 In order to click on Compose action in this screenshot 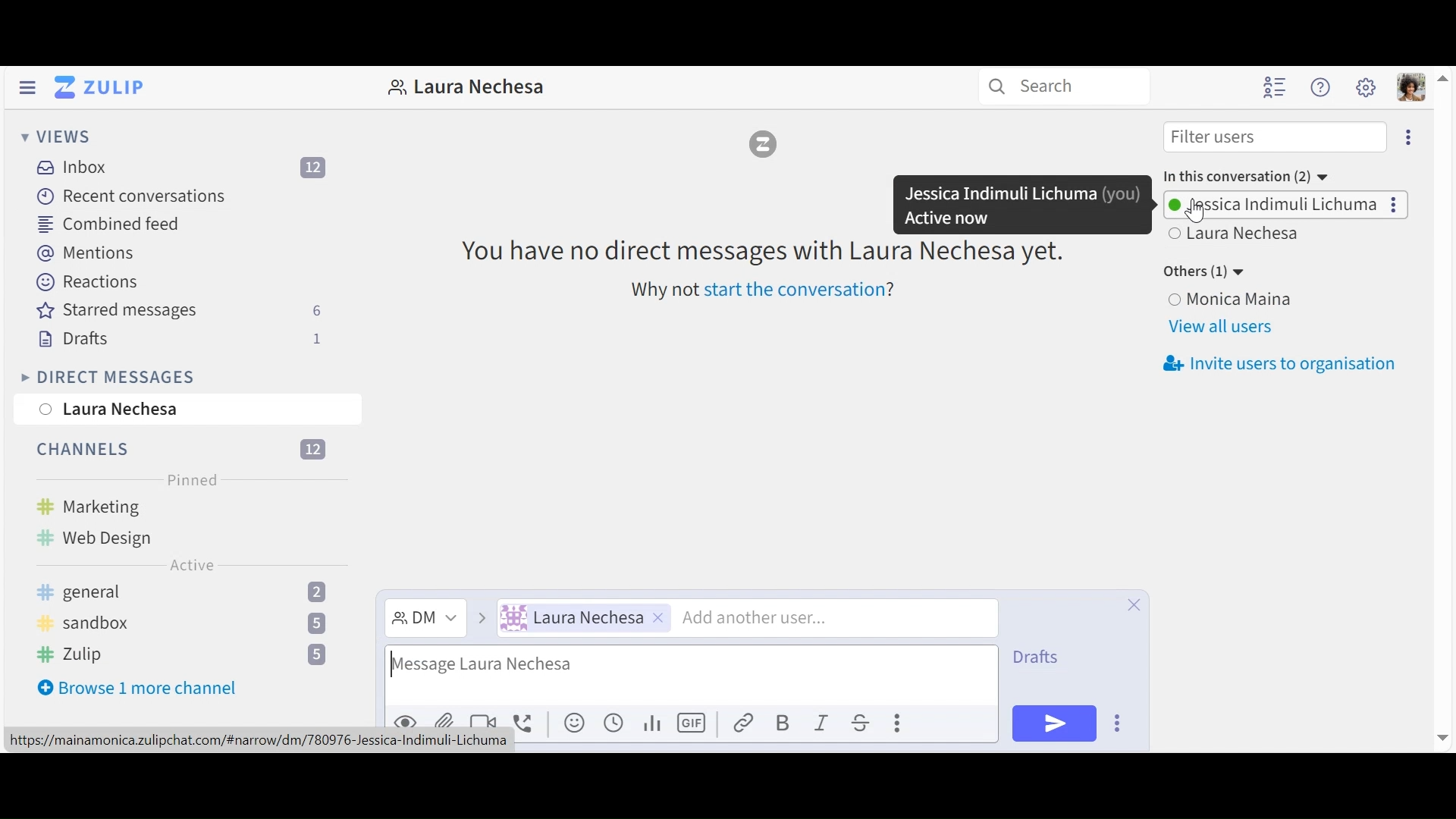, I will do `click(899, 723)`.